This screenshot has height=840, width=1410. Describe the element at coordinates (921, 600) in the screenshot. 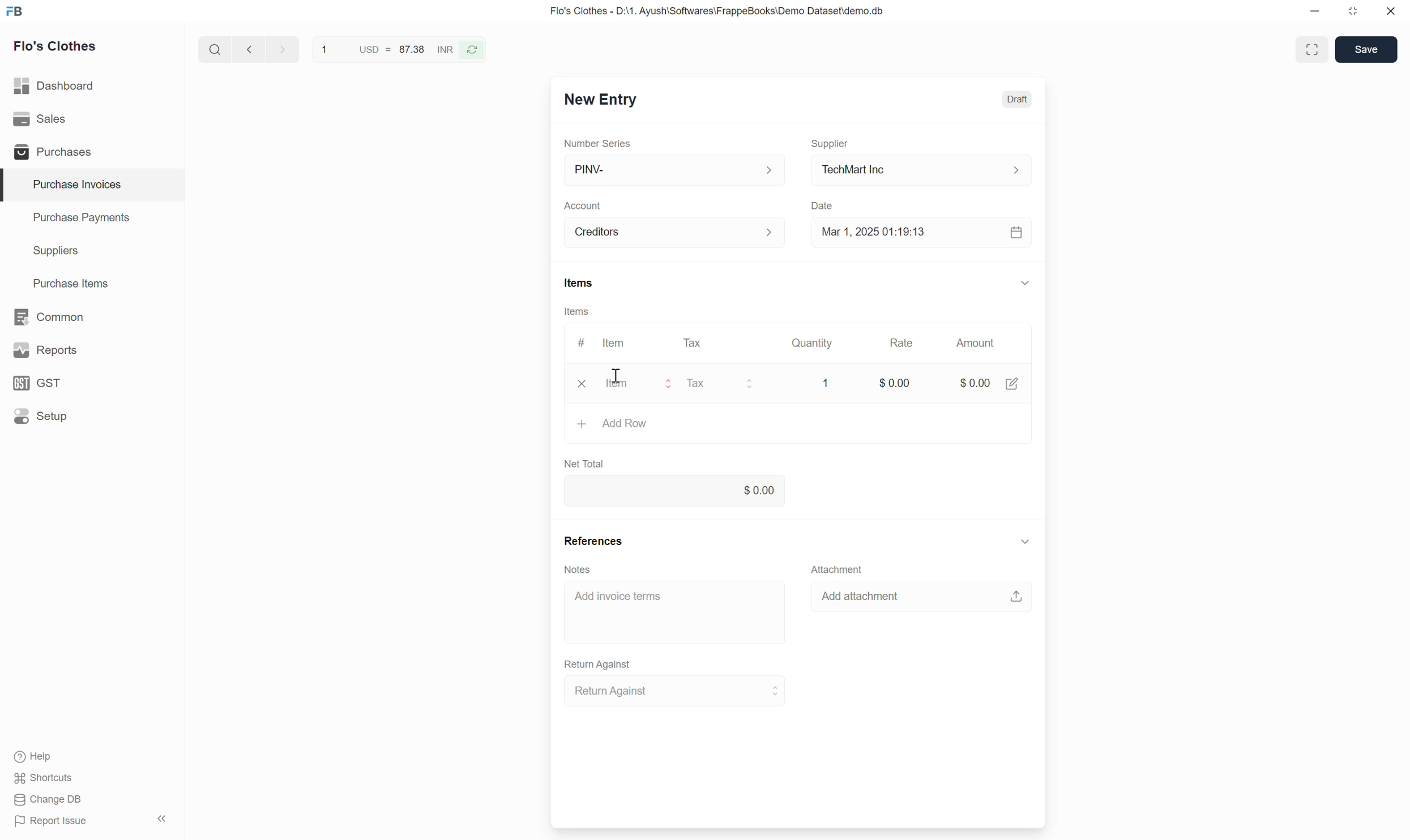

I see `Add attachment` at that location.